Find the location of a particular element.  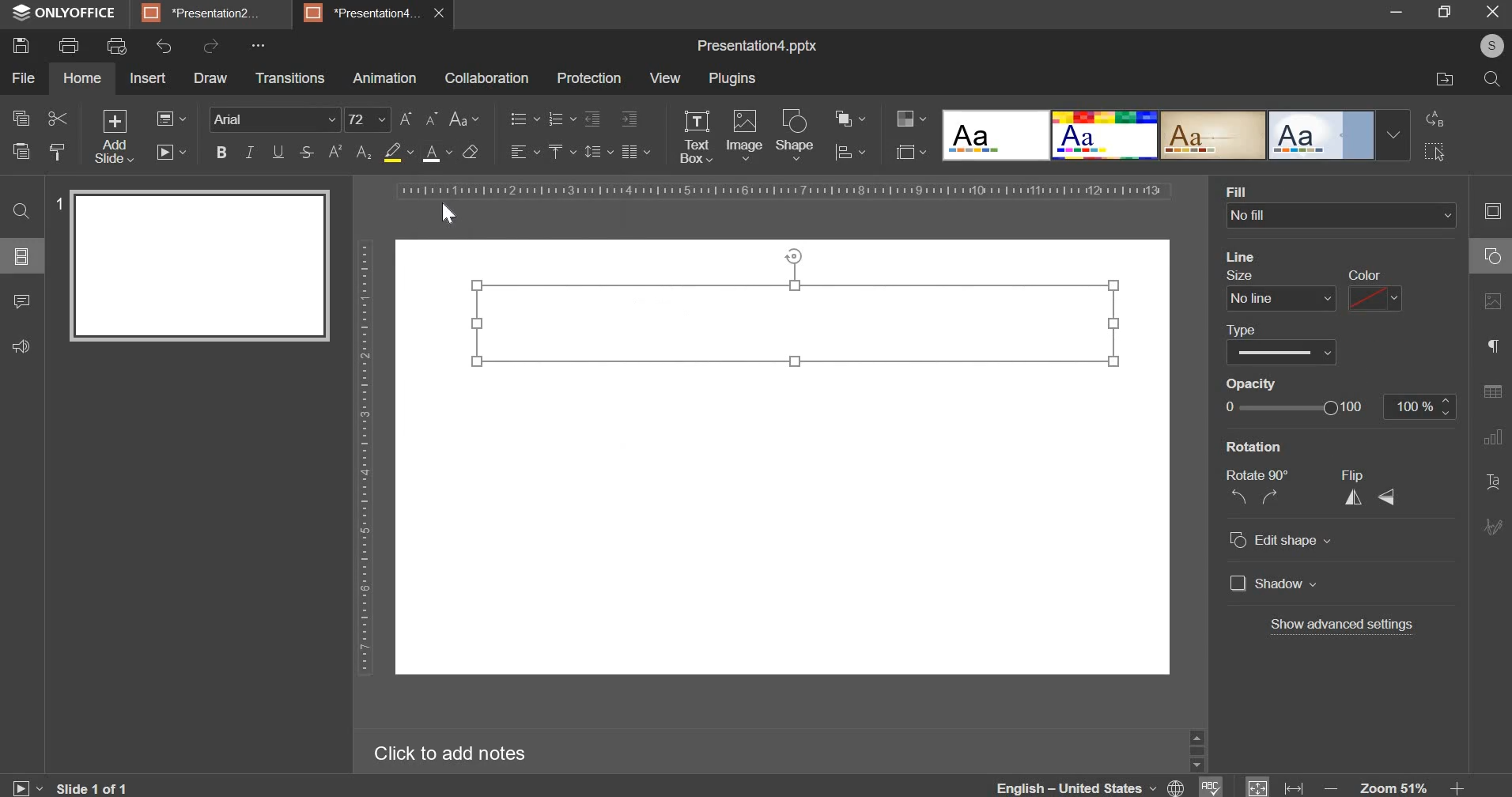

save is located at coordinates (20, 46).